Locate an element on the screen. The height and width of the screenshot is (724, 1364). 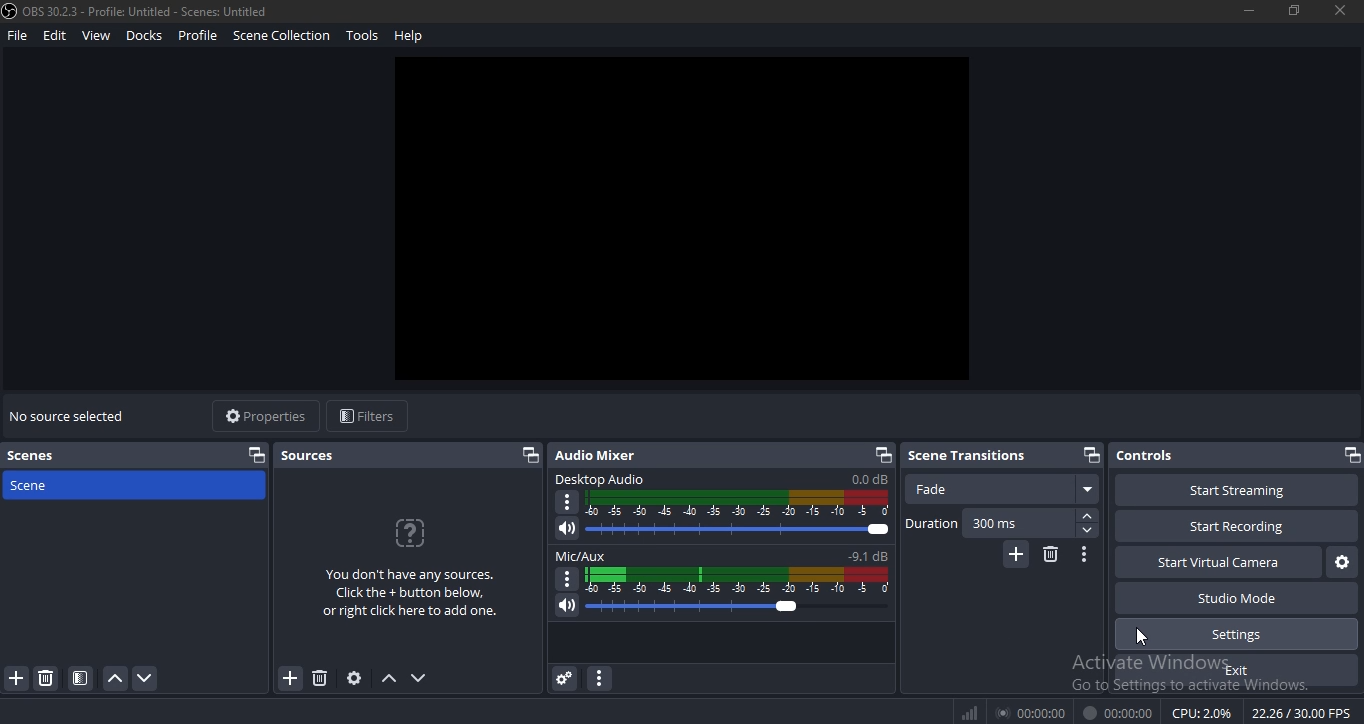
scenes is located at coordinates (38, 457).